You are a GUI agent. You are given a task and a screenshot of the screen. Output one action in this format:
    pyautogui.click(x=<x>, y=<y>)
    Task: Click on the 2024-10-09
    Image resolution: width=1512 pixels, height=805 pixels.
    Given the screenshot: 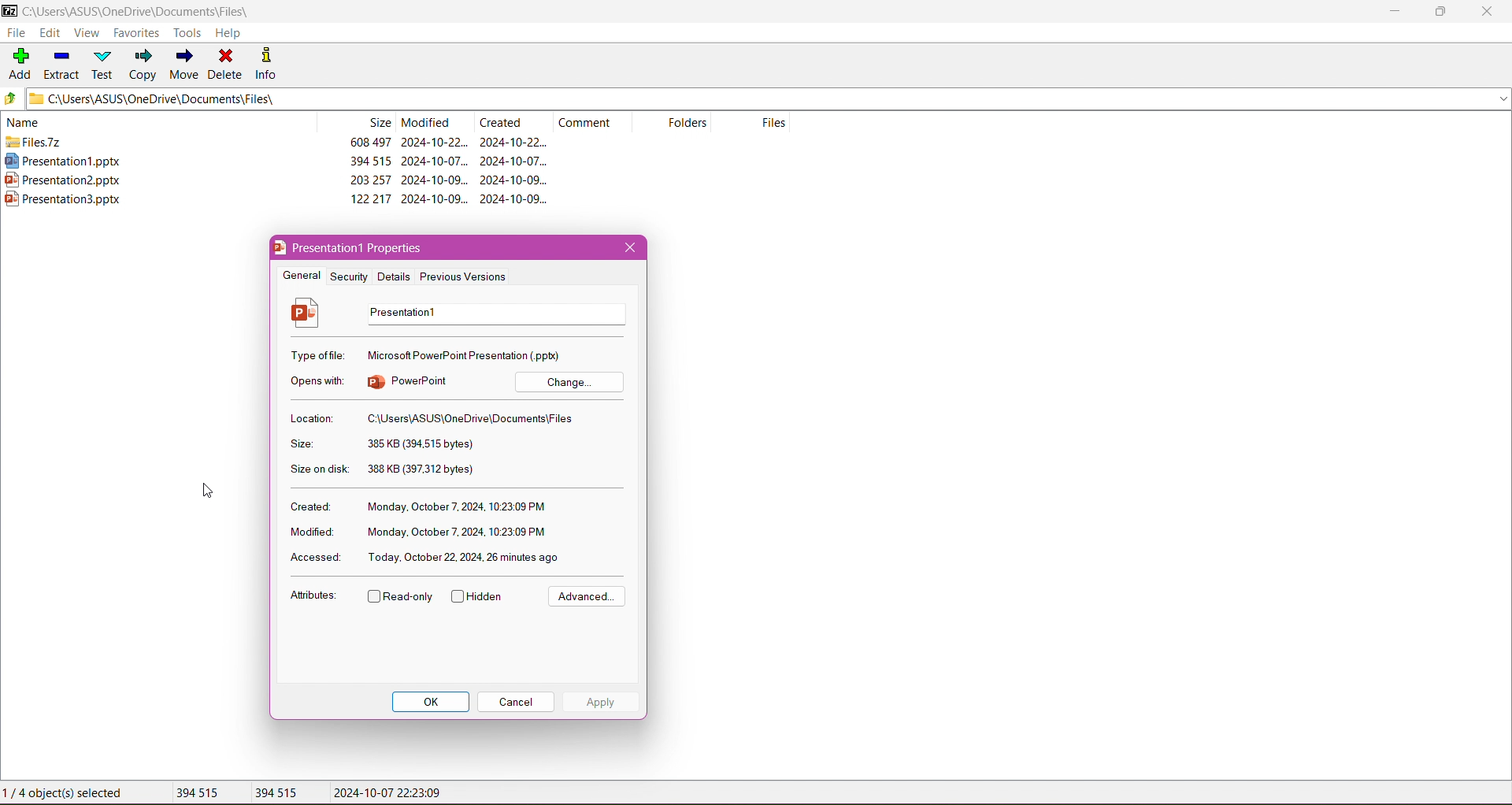 What is the action you would take?
    pyautogui.click(x=513, y=180)
    